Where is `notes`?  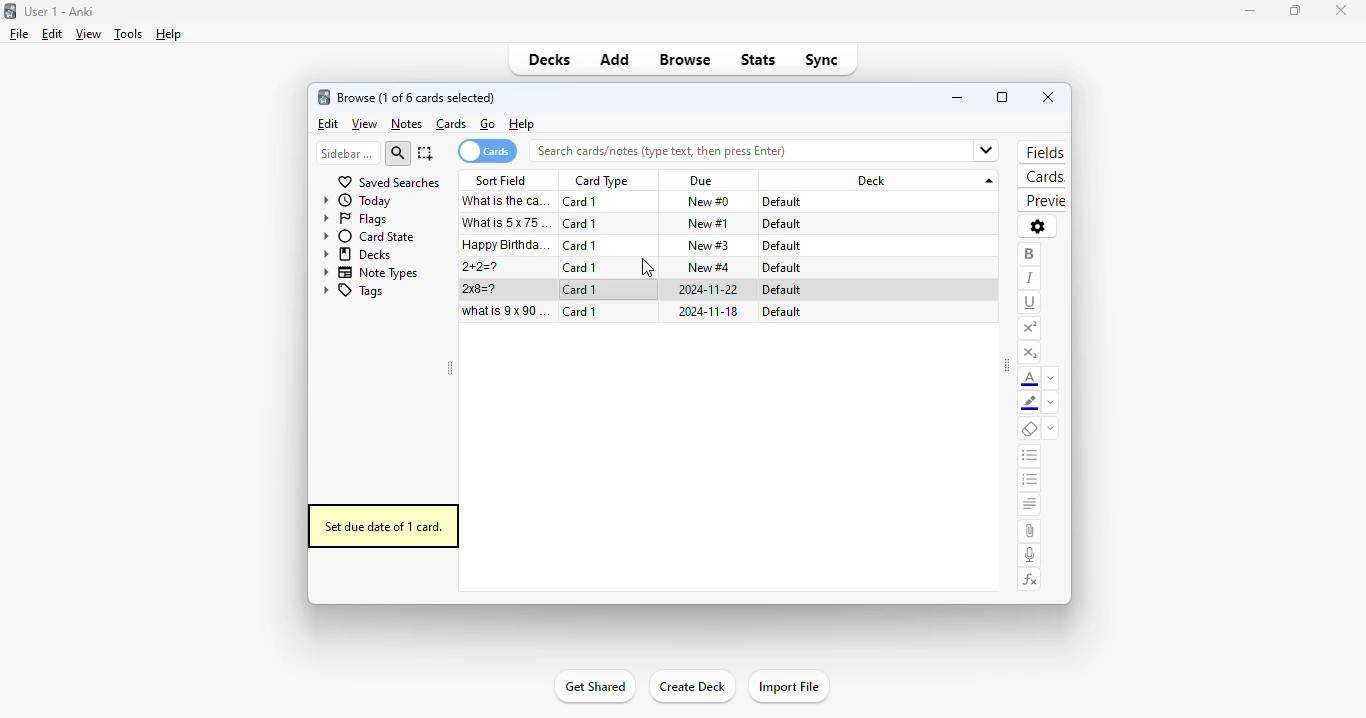
notes is located at coordinates (406, 124).